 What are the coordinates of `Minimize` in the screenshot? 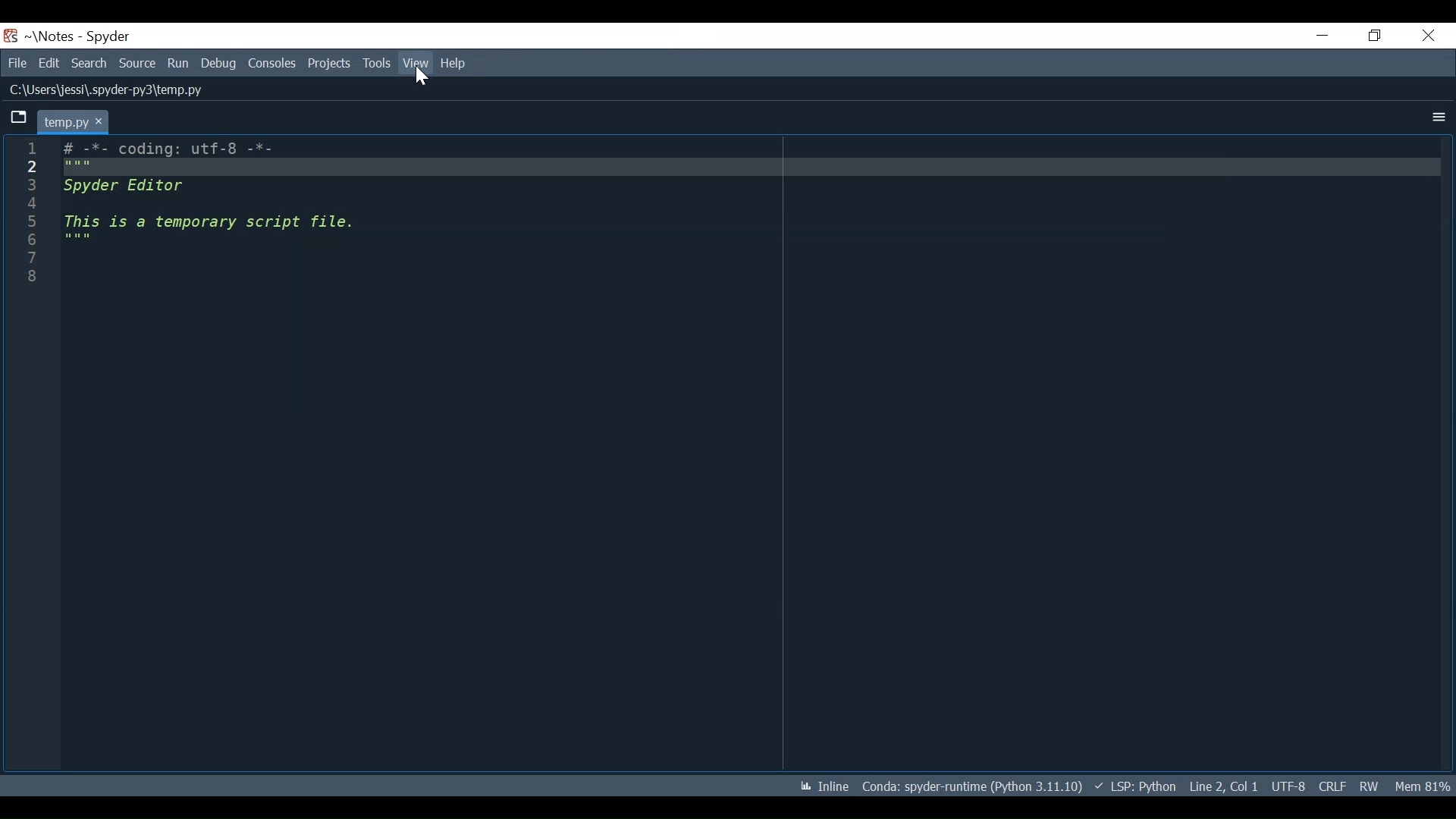 It's located at (1319, 37).